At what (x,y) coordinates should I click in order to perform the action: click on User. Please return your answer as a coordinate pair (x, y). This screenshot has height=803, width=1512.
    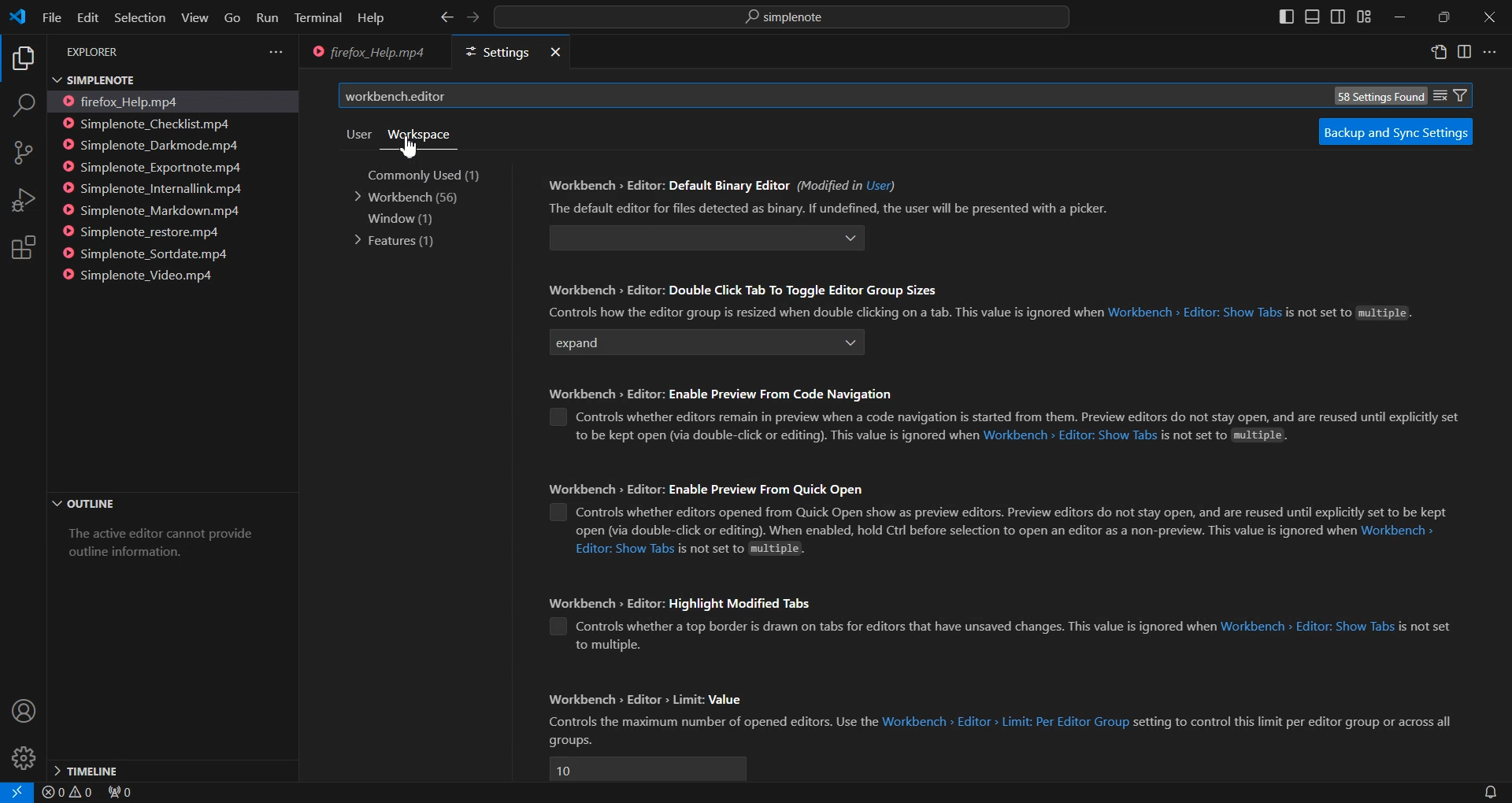
    Looking at the image, I should click on (358, 134).